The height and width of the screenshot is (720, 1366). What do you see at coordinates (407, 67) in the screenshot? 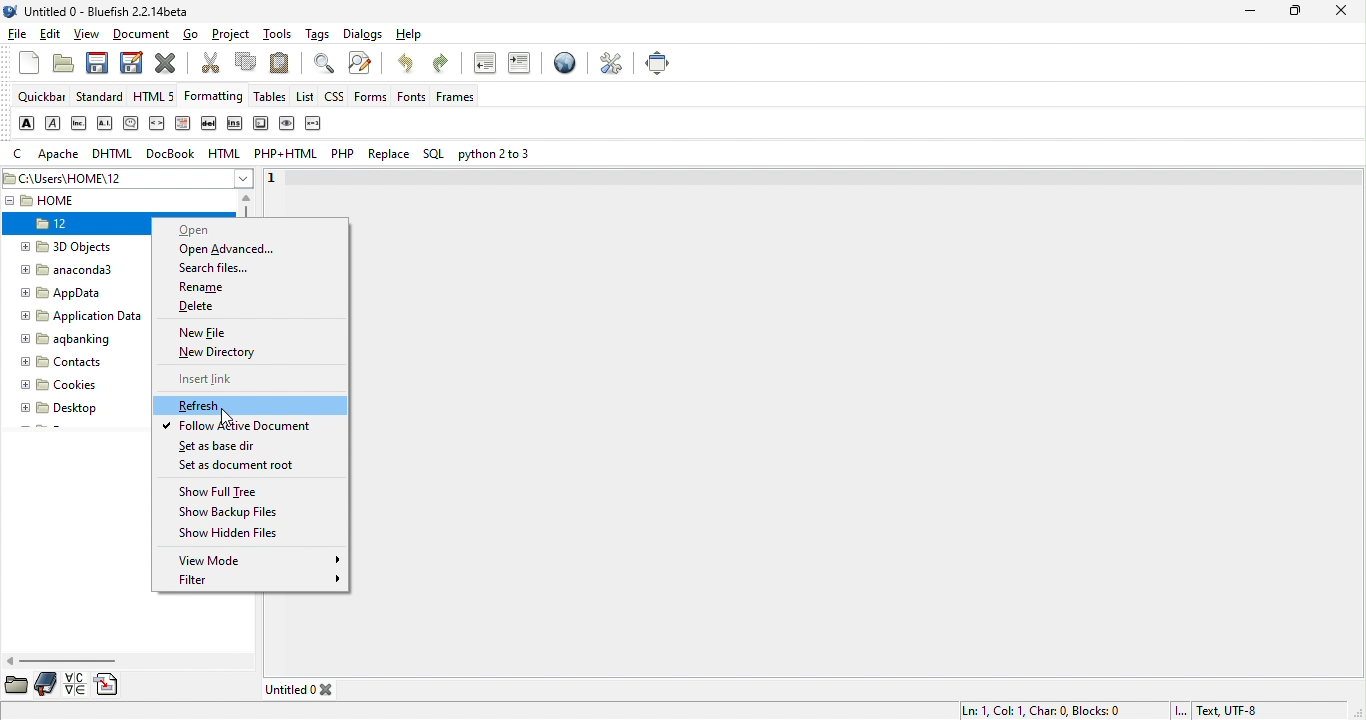
I see `undo` at bounding box center [407, 67].